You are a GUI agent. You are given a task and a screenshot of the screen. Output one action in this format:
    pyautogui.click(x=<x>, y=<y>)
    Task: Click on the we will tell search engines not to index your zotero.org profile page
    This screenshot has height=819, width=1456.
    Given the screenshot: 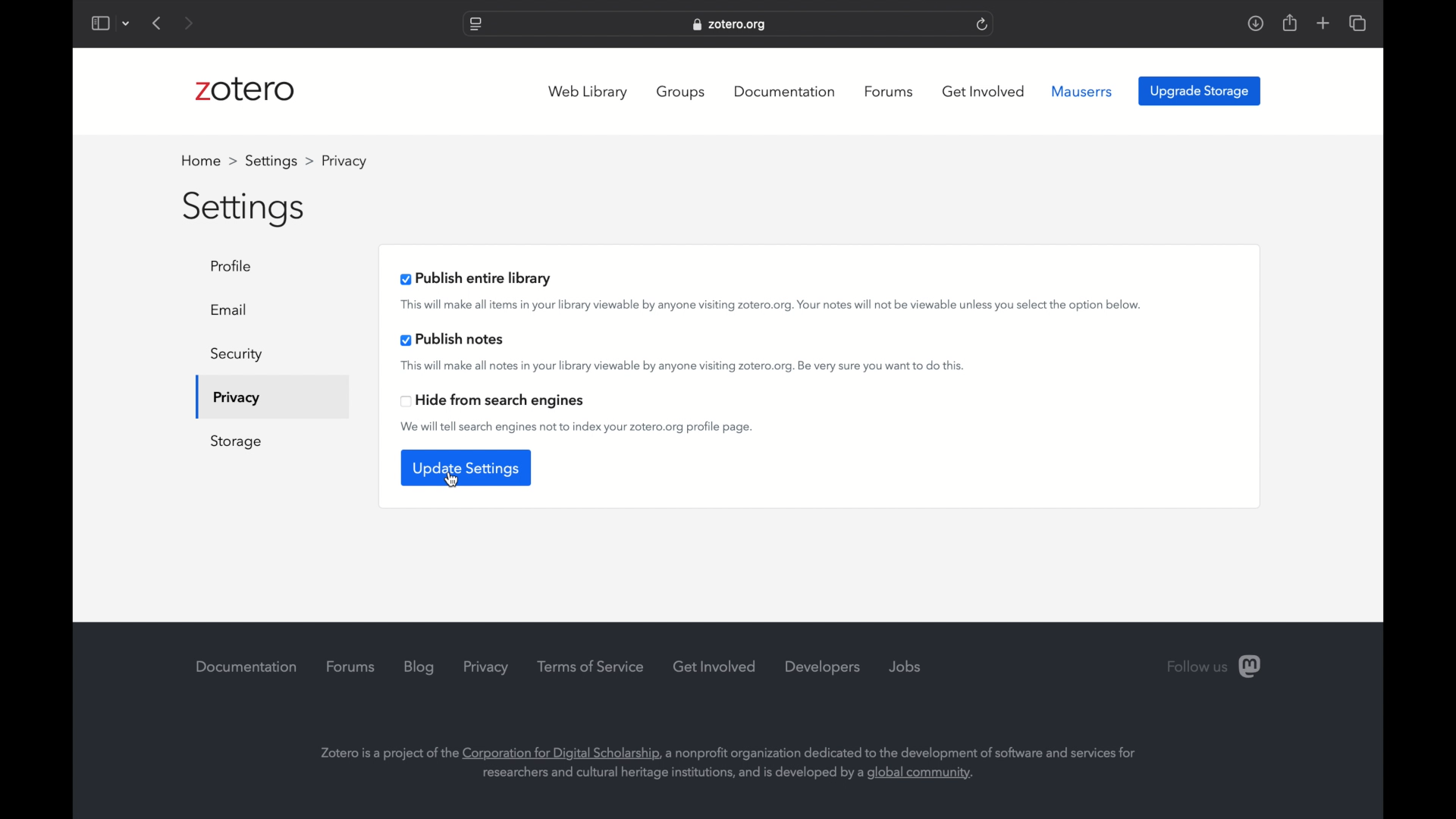 What is the action you would take?
    pyautogui.click(x=578, y=428)
    